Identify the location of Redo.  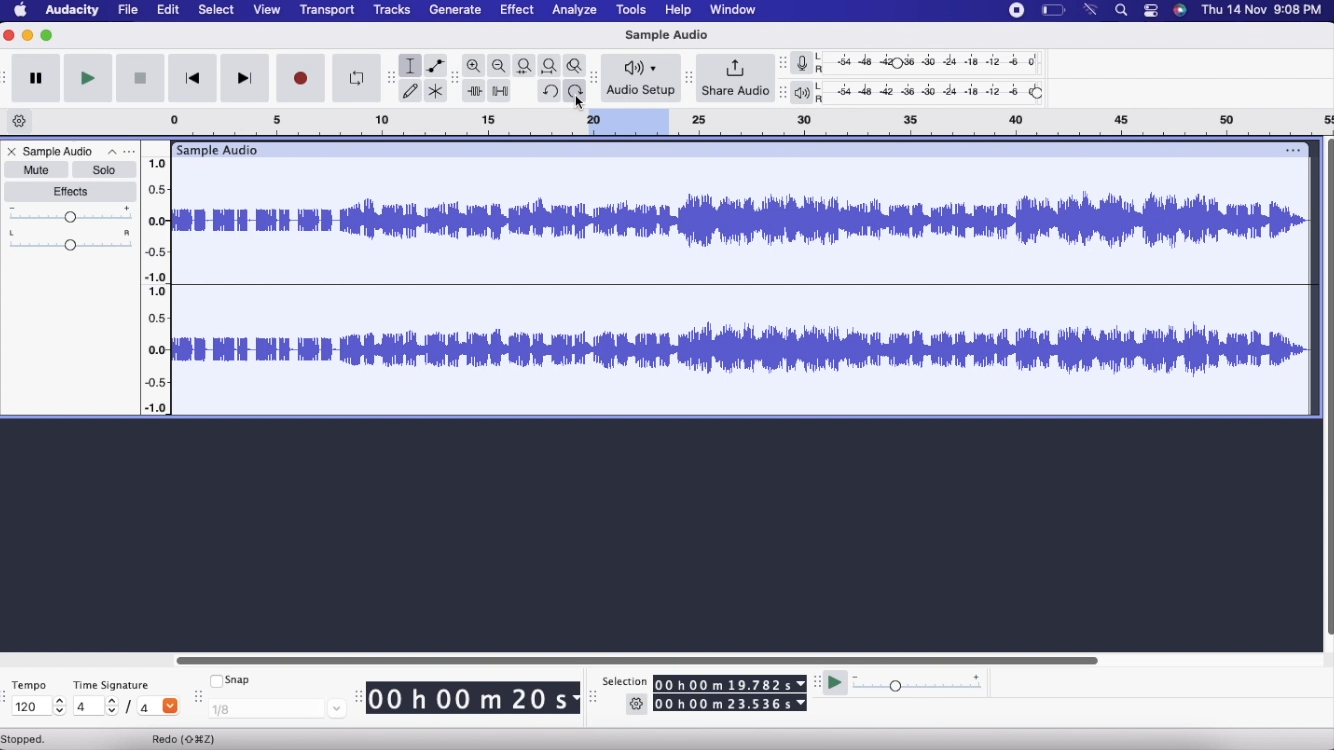
(575, 91).